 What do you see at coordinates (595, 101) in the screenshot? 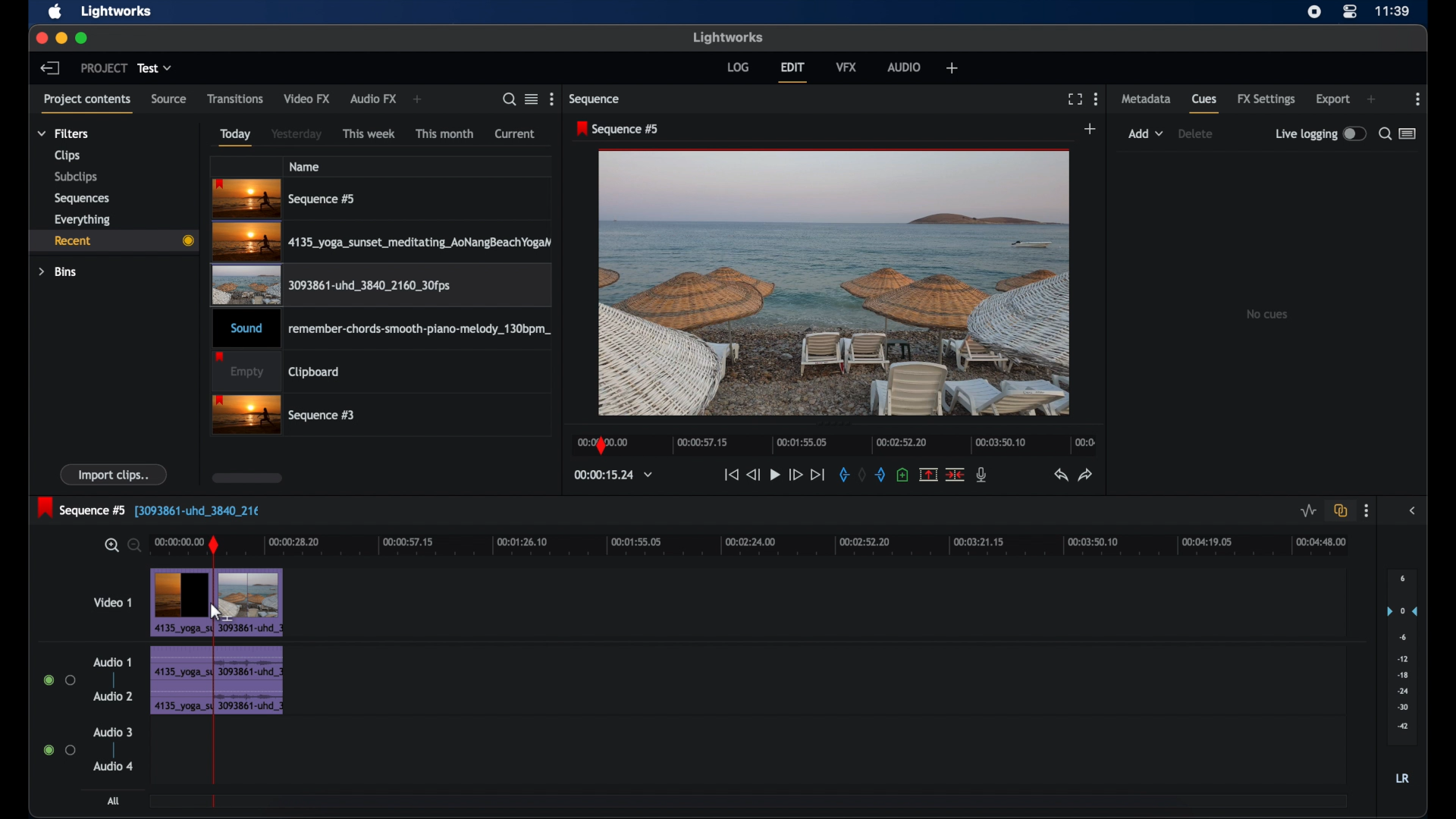
I see `sequence` at bounding box center [595, 101].